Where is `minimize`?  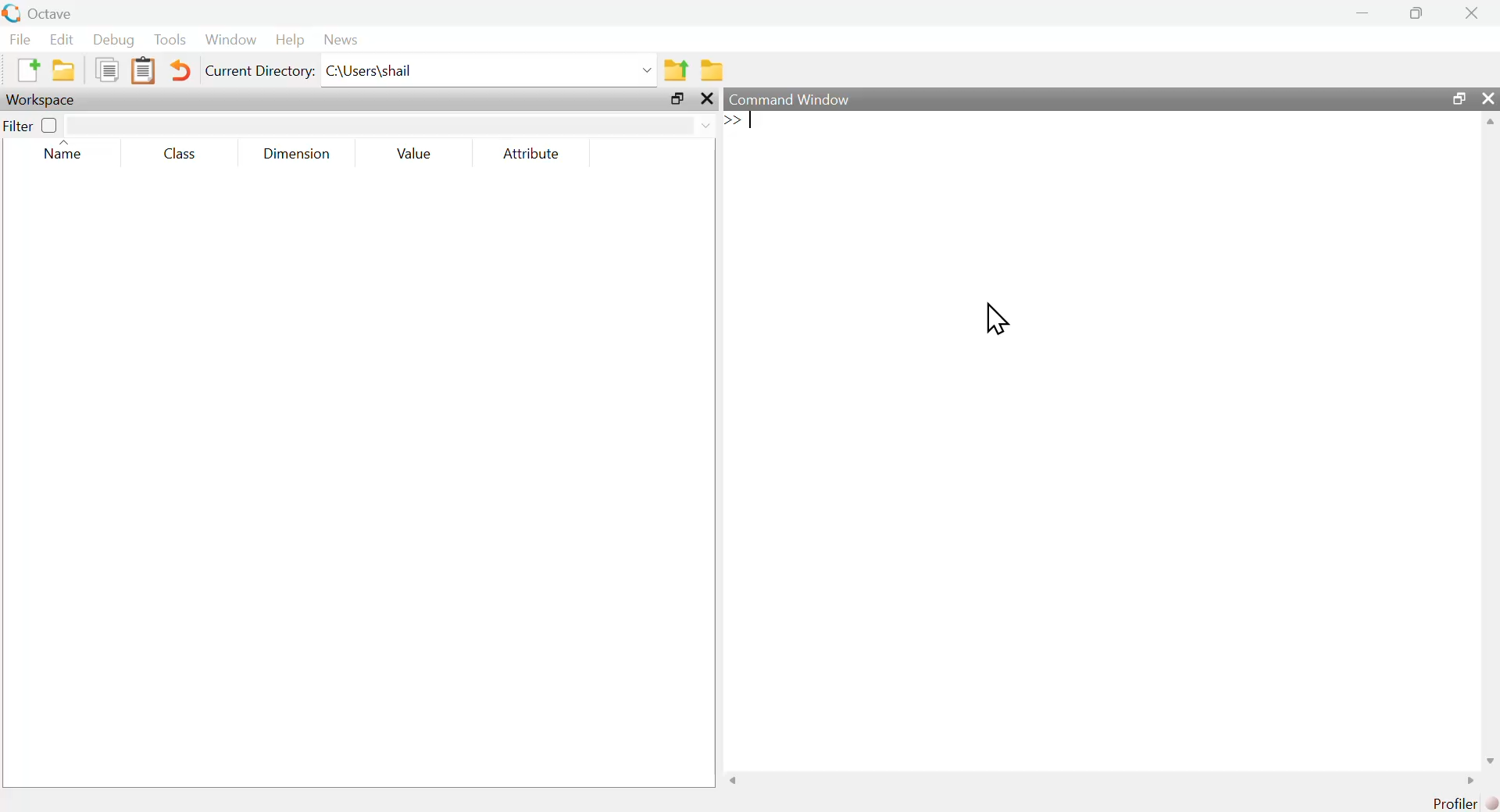 minimize is located at coordinates (1362, 12).